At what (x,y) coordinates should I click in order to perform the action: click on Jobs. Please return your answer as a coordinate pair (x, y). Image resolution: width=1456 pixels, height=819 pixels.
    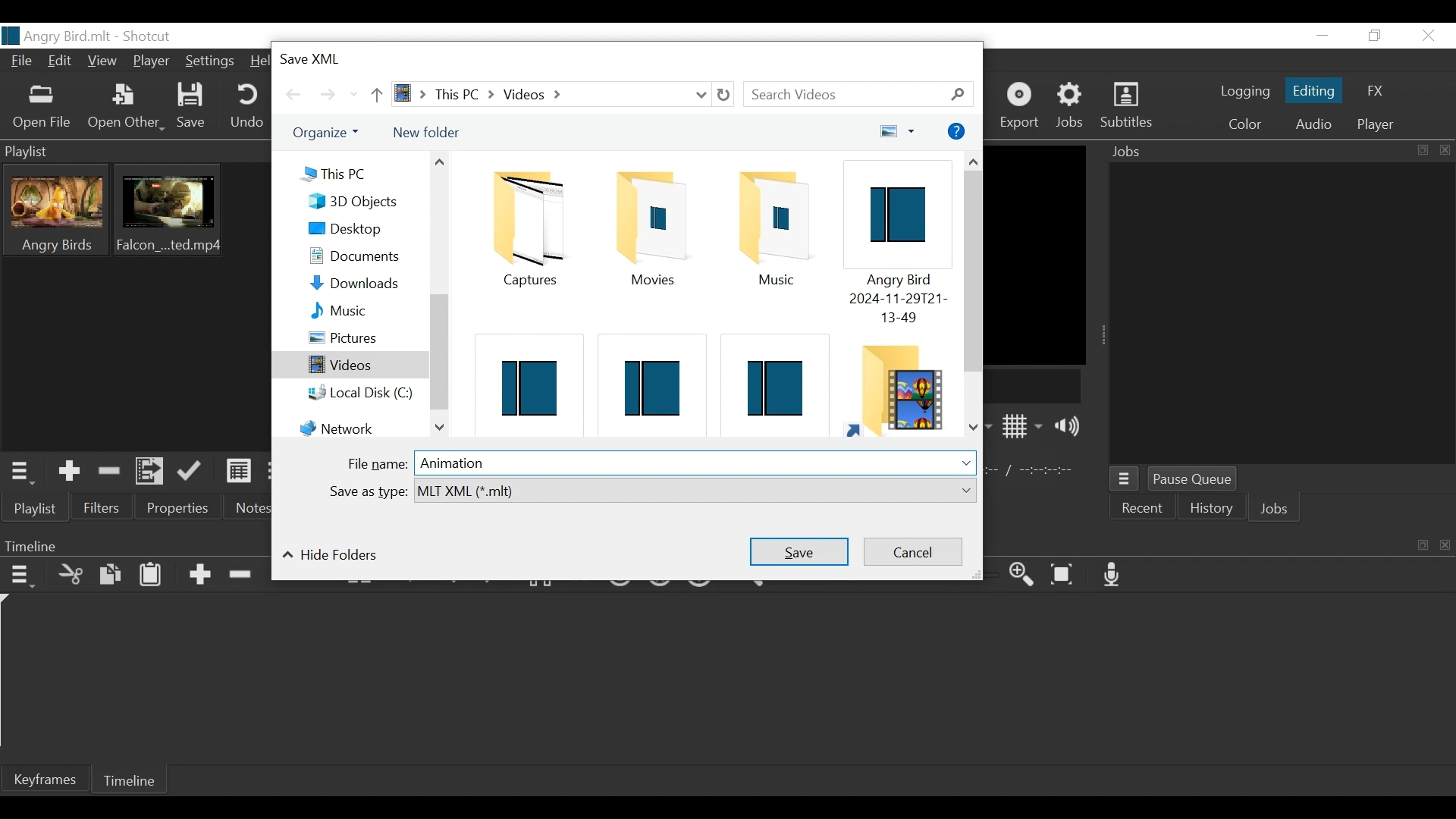
    Looking at the image, I should click on (1071, 106).